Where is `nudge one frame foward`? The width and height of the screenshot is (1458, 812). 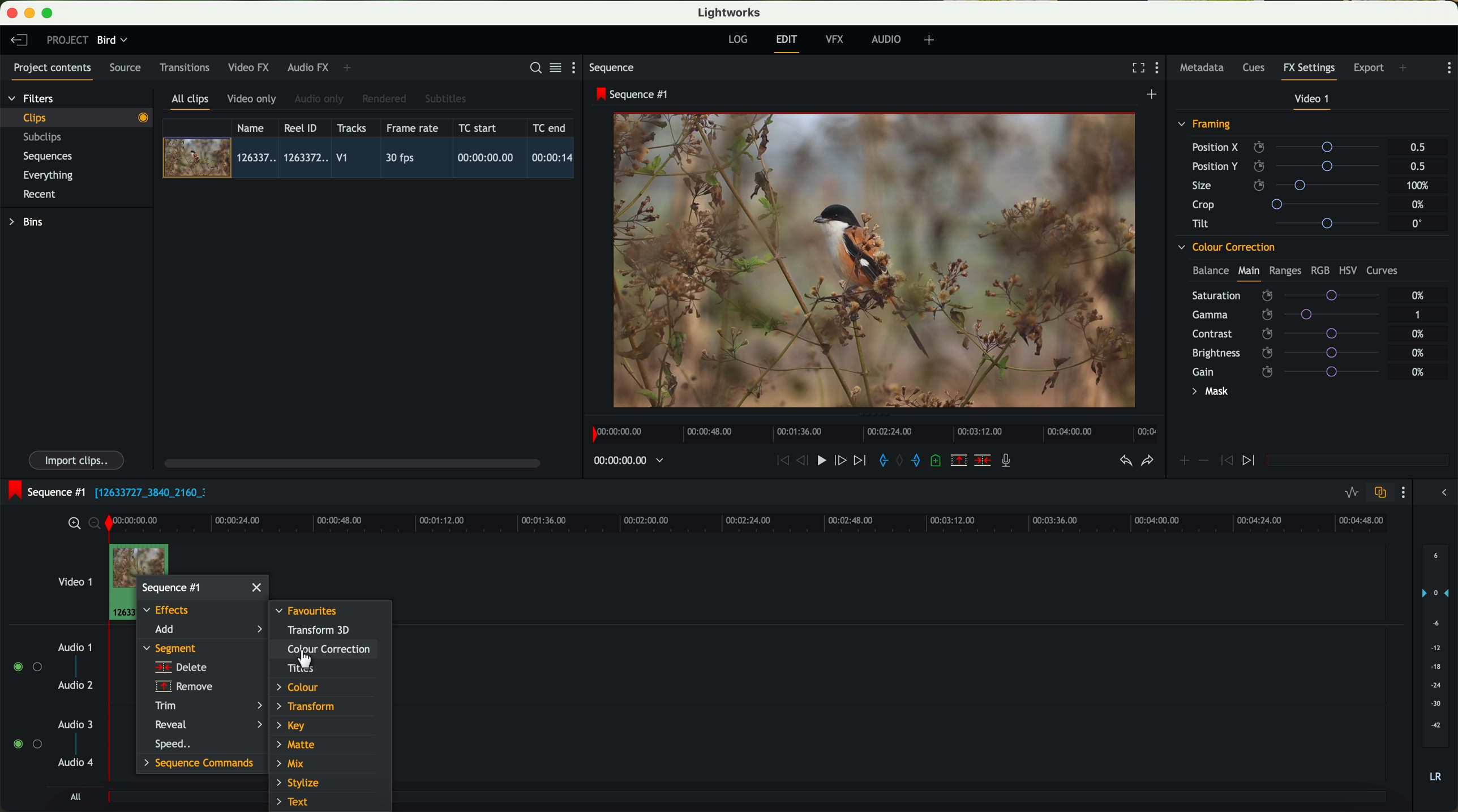 nudge one frame foward is located at coordinates (842, 461).